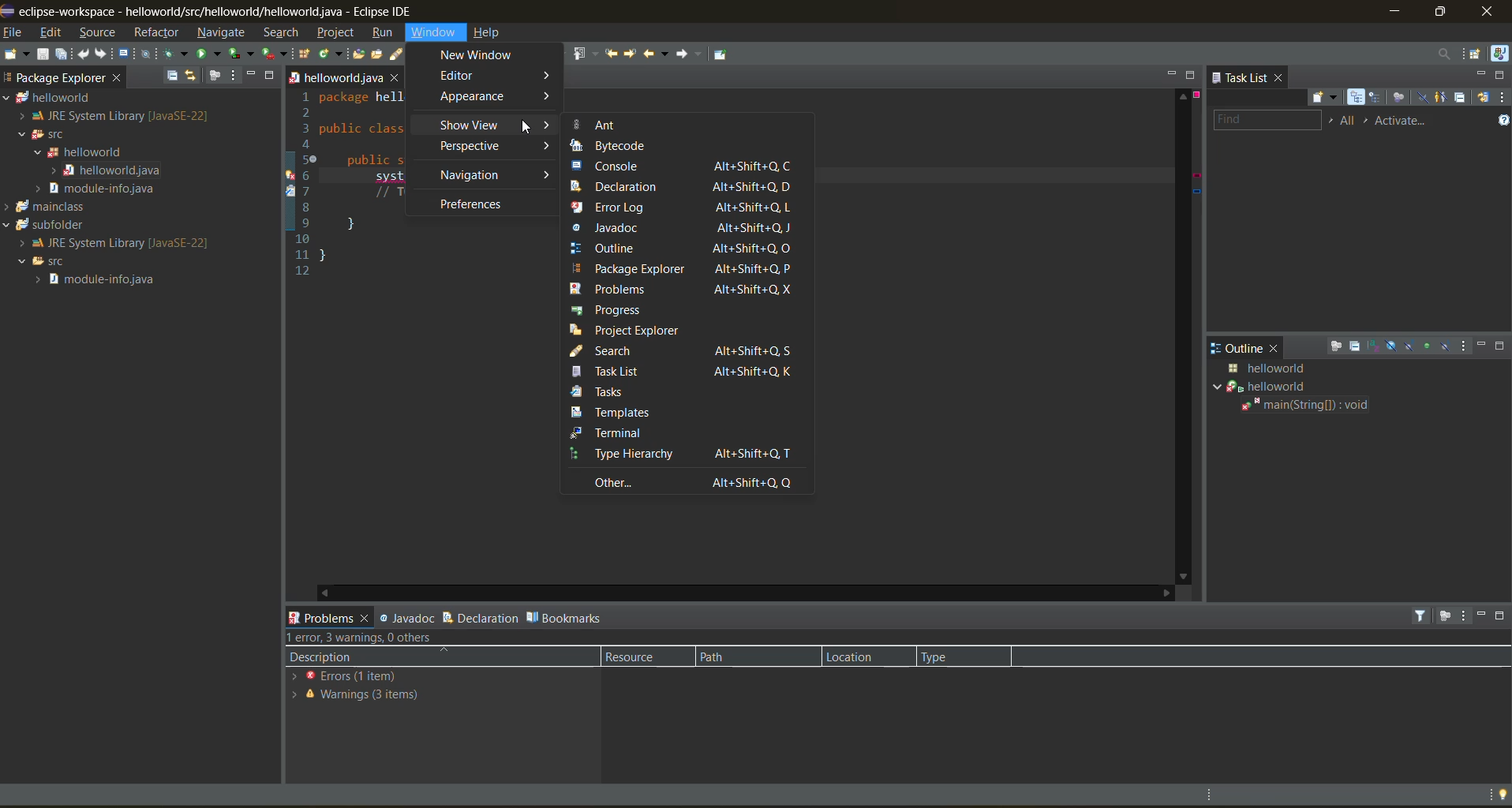 The image size is (1512, 808). What do you see at coordinates (690, 454) in the screenshot?
I see `type hierarchy` at bounding box center [690, 454].